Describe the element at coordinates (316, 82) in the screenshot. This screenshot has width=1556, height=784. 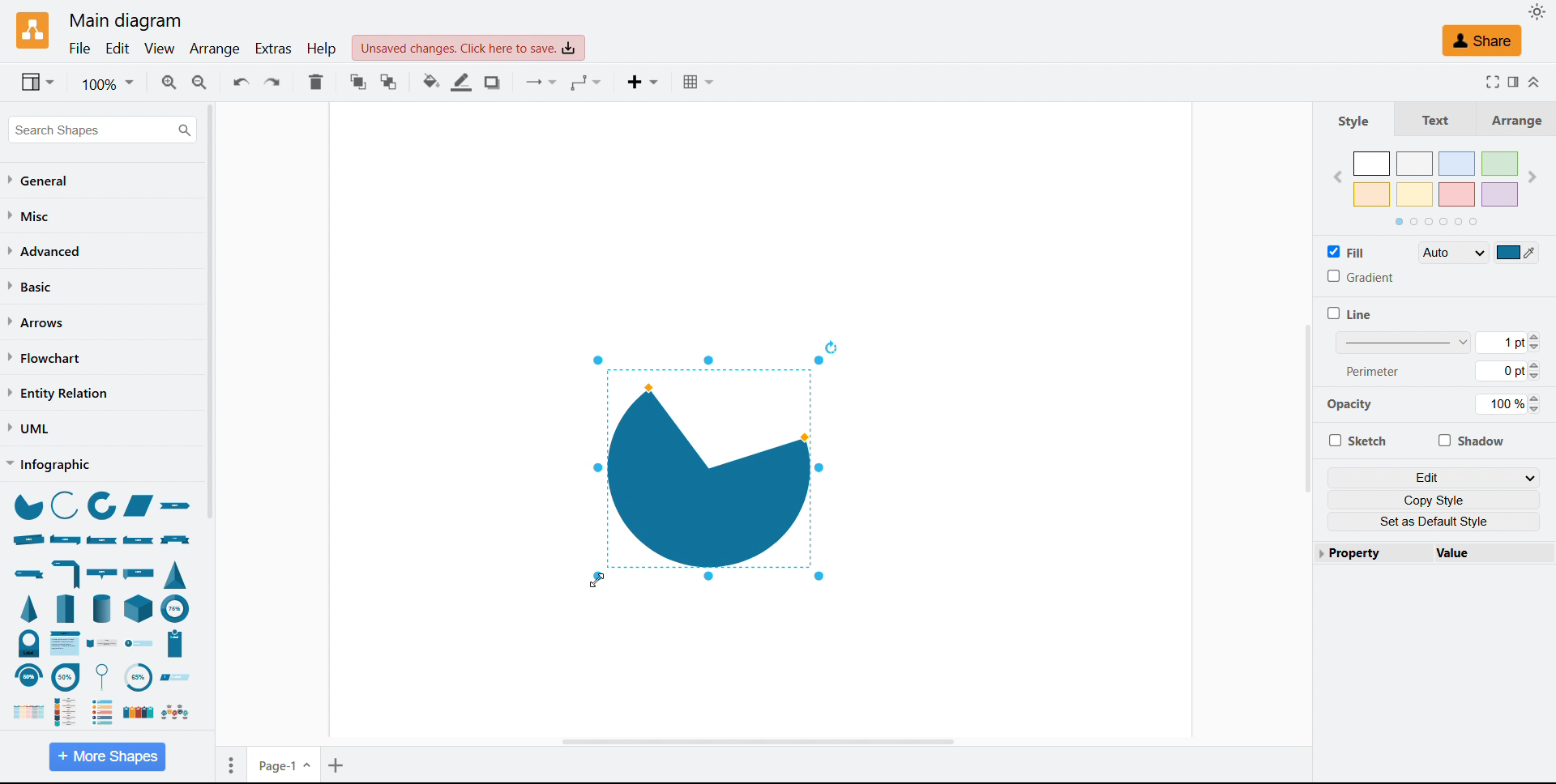
I see `Delete ` at that location.